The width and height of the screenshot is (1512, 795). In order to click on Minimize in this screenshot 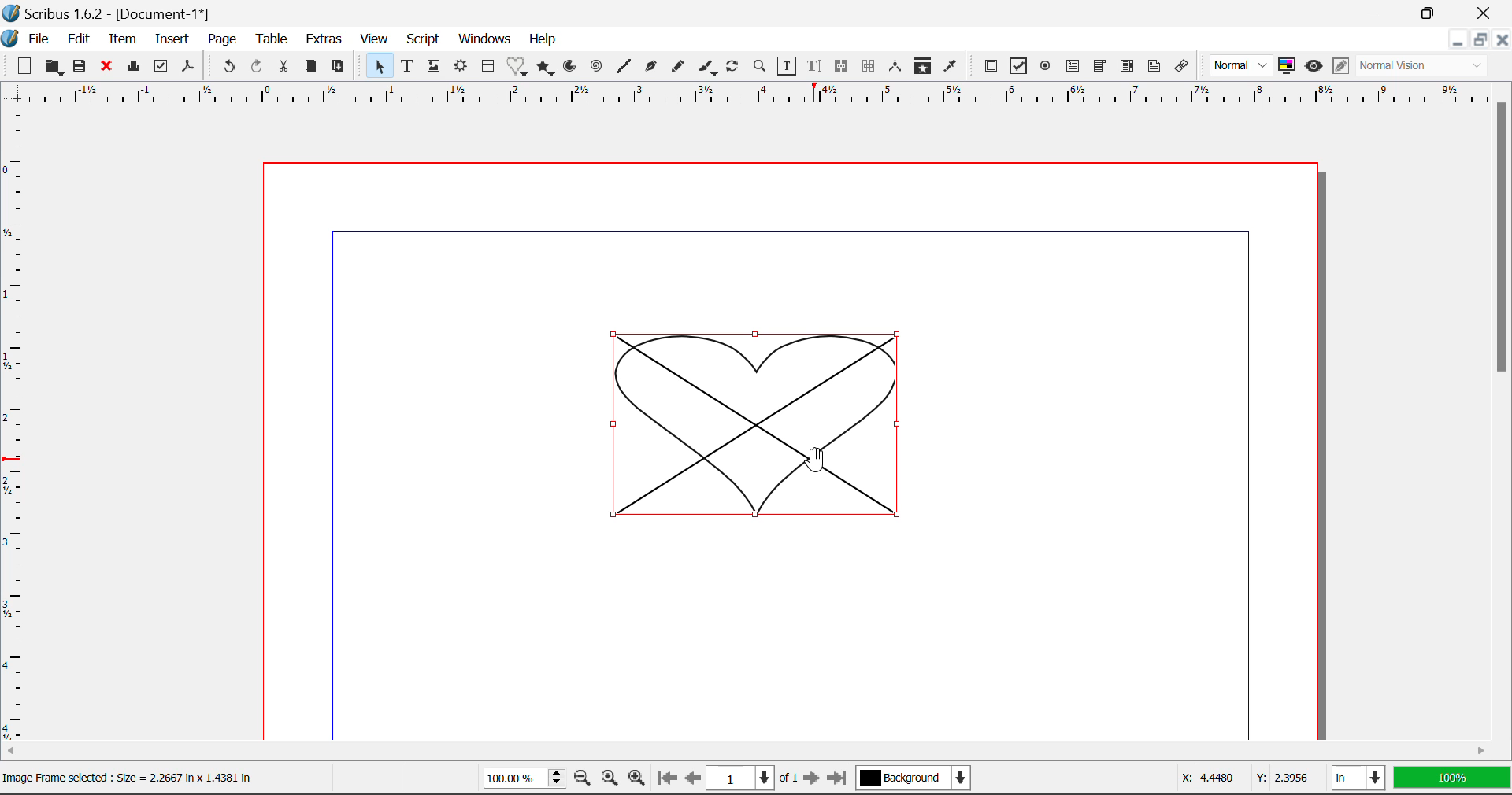, I will do `click(1482, 42)`.